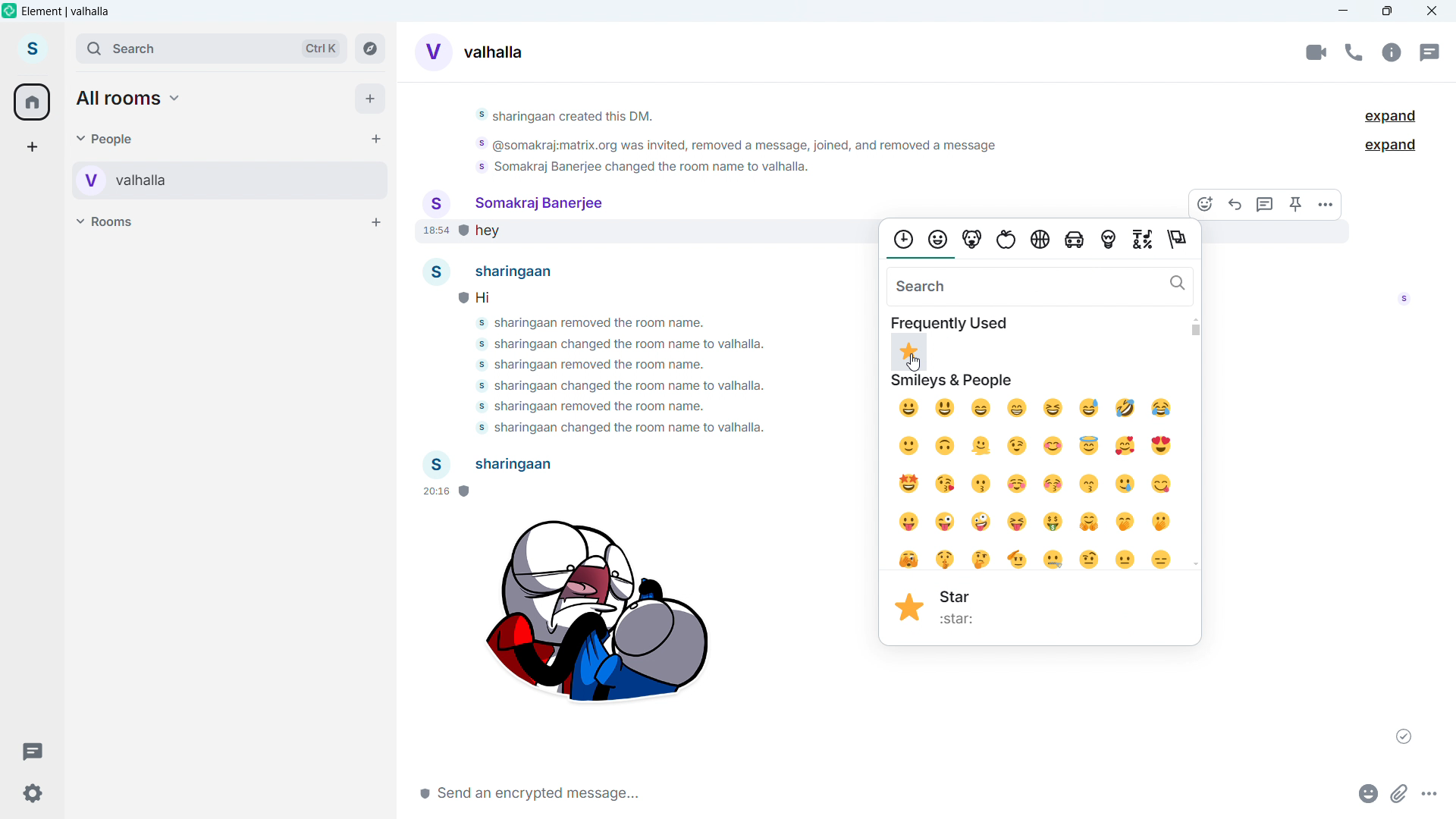 This screenshot has height=819, width=1456. What do you see at coordinates (909, 522) in the screenshot?
I see `face with tongue` at bounding box center [909, 522].